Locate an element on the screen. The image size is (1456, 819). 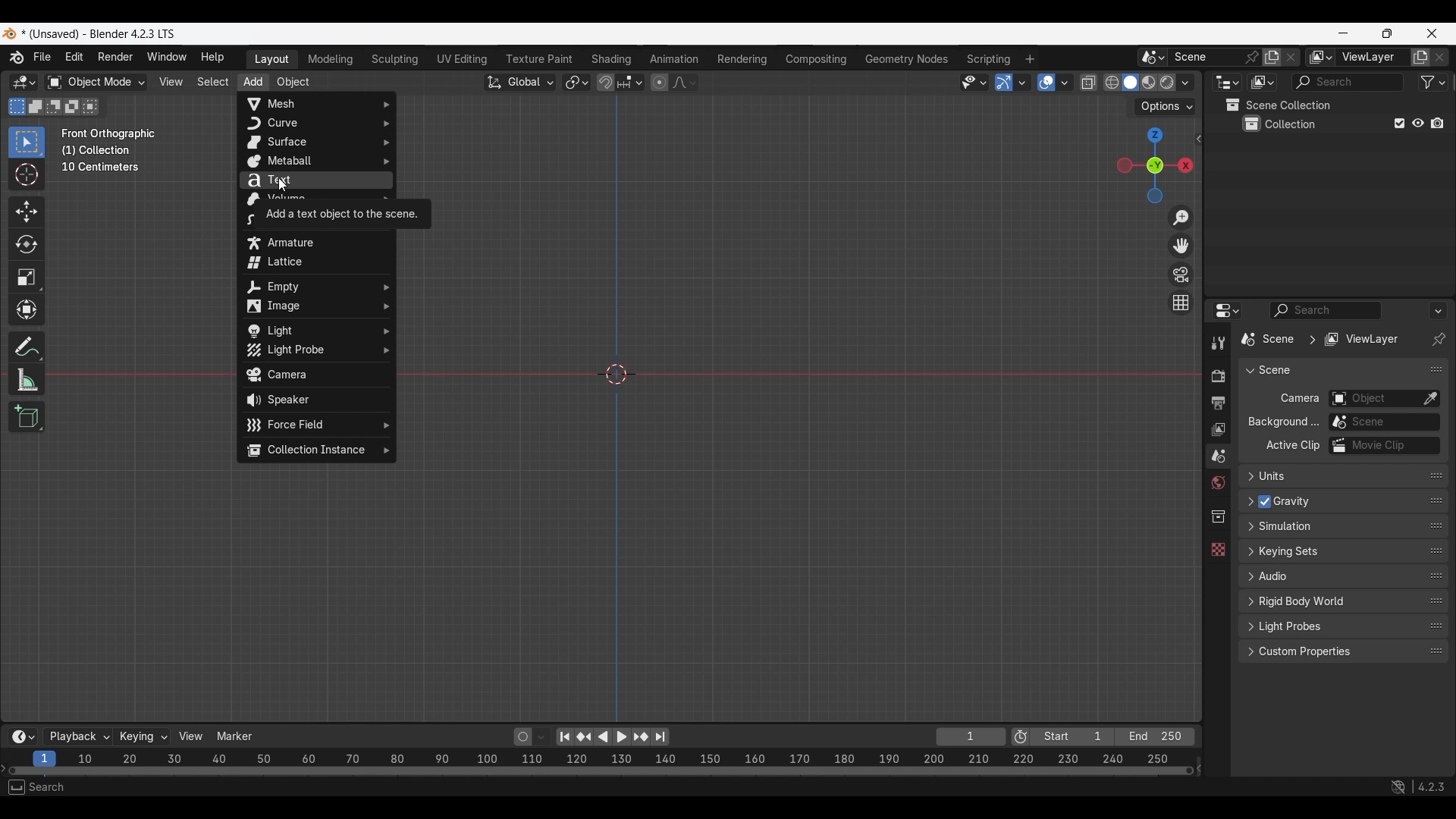
Toggle pin ID is located at coordinates (1438, 340).